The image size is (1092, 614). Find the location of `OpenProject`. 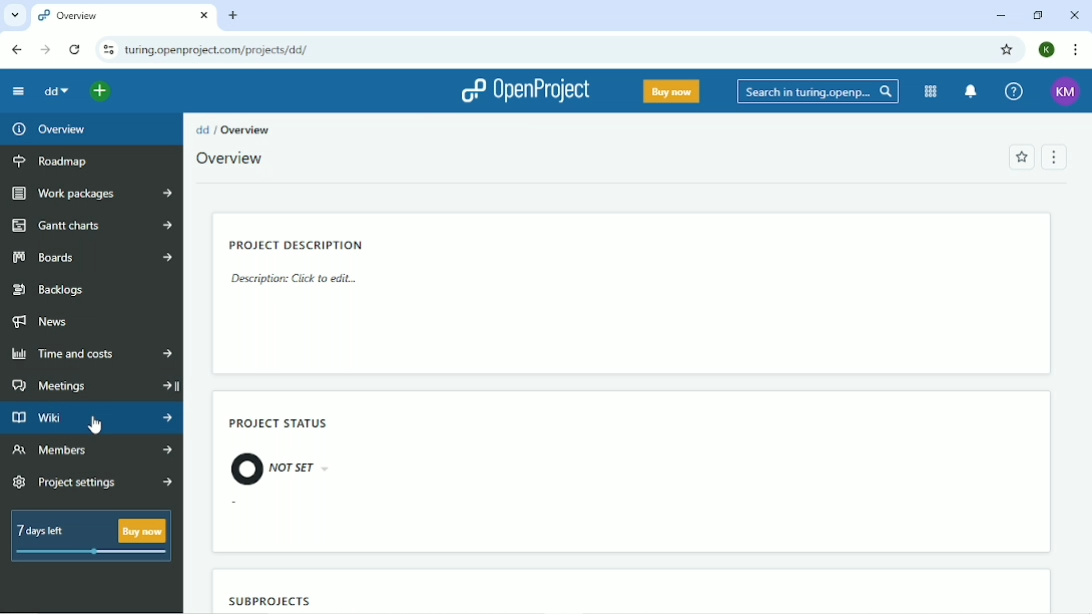

OpenProject is located at coordinates (525, 90).